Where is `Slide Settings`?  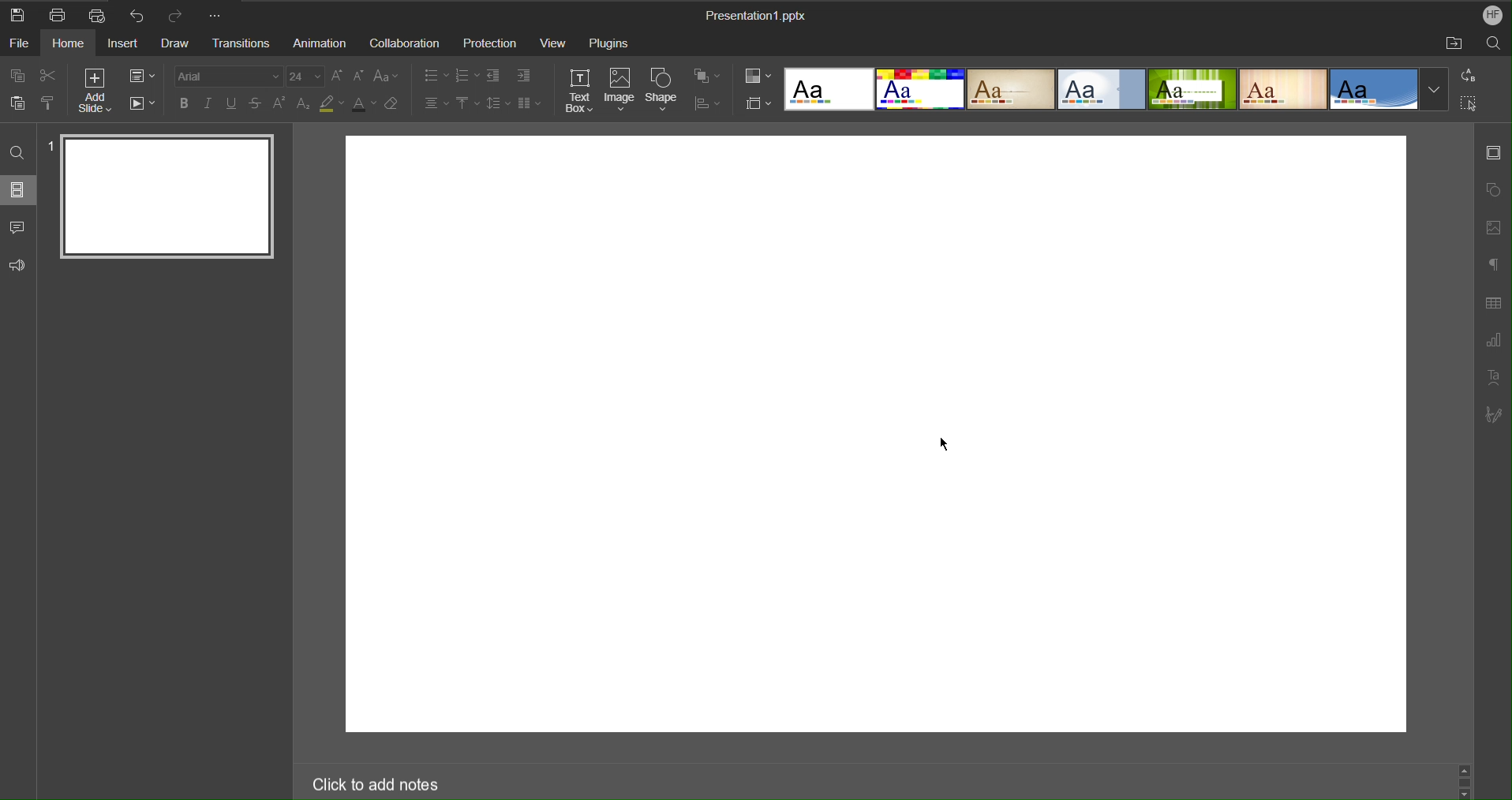
Slide Settings is located at coordinates (1495, 152).